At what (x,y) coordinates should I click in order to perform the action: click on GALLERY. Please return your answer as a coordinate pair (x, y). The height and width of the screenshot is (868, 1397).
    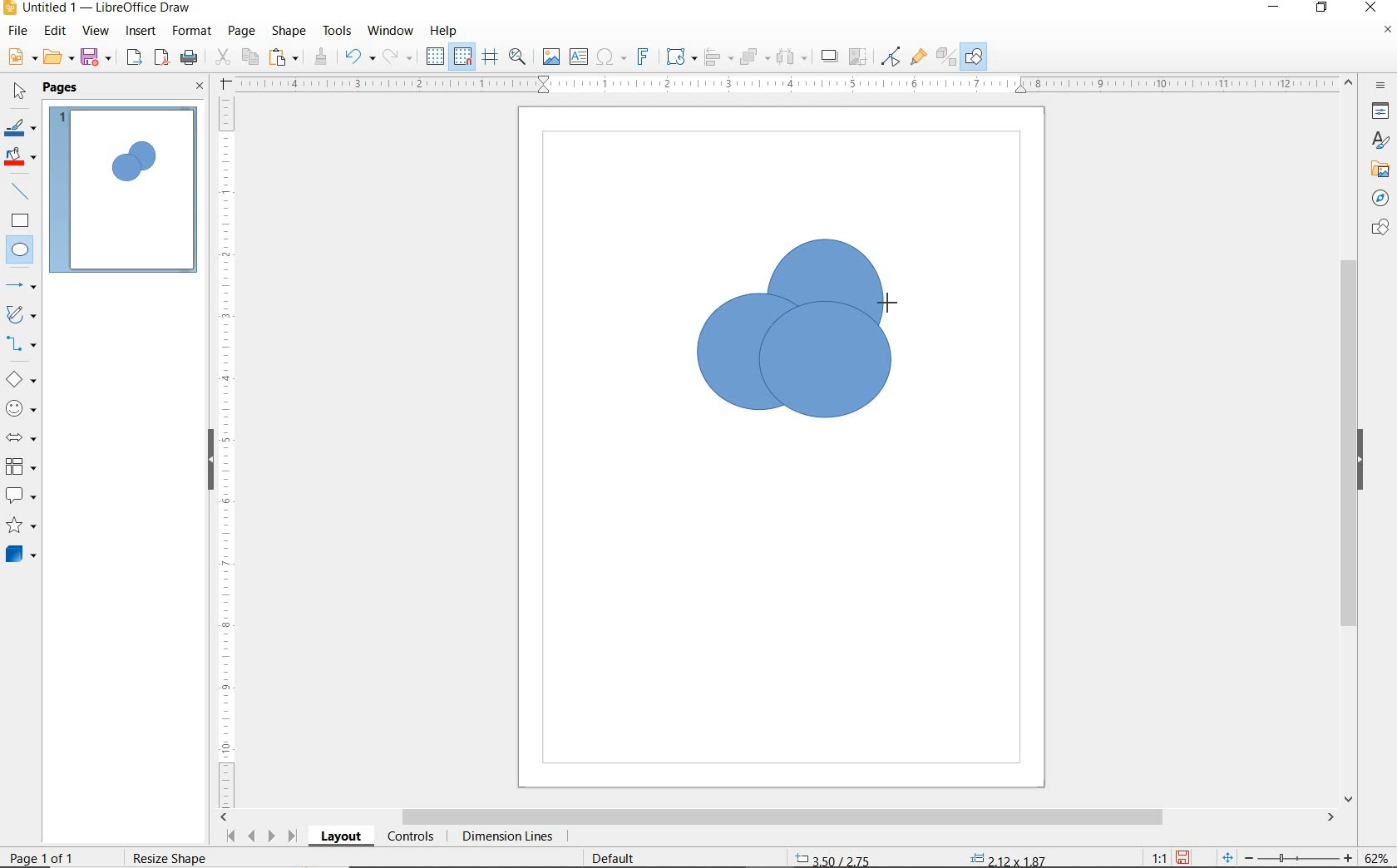
    Looking at the image, I should click on (1378, 170).